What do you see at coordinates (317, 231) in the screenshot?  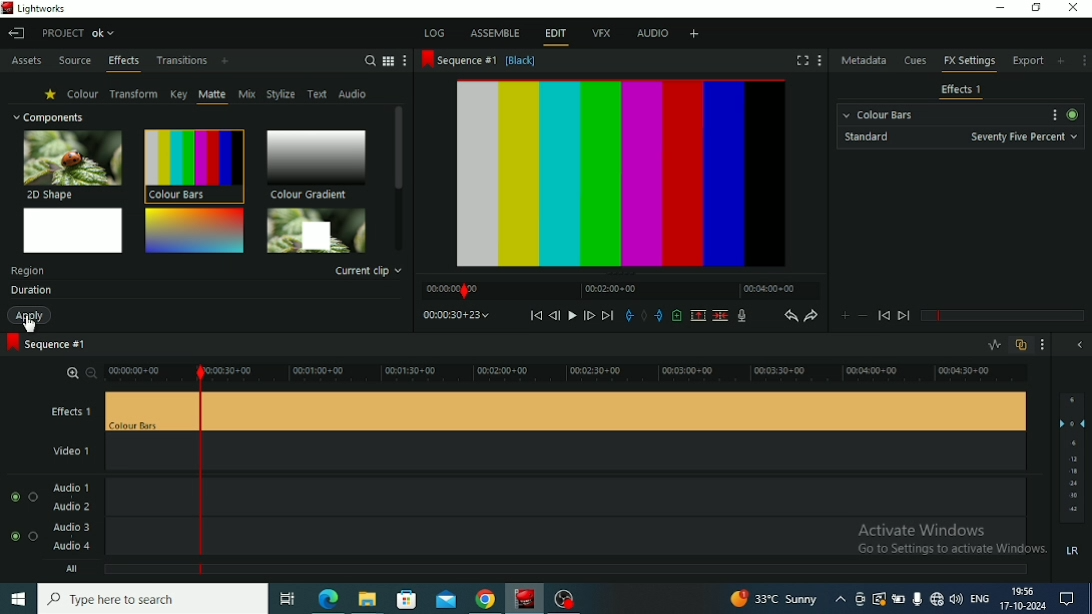 I see `Simple 2D Shape` at bounding box center [317, 231].